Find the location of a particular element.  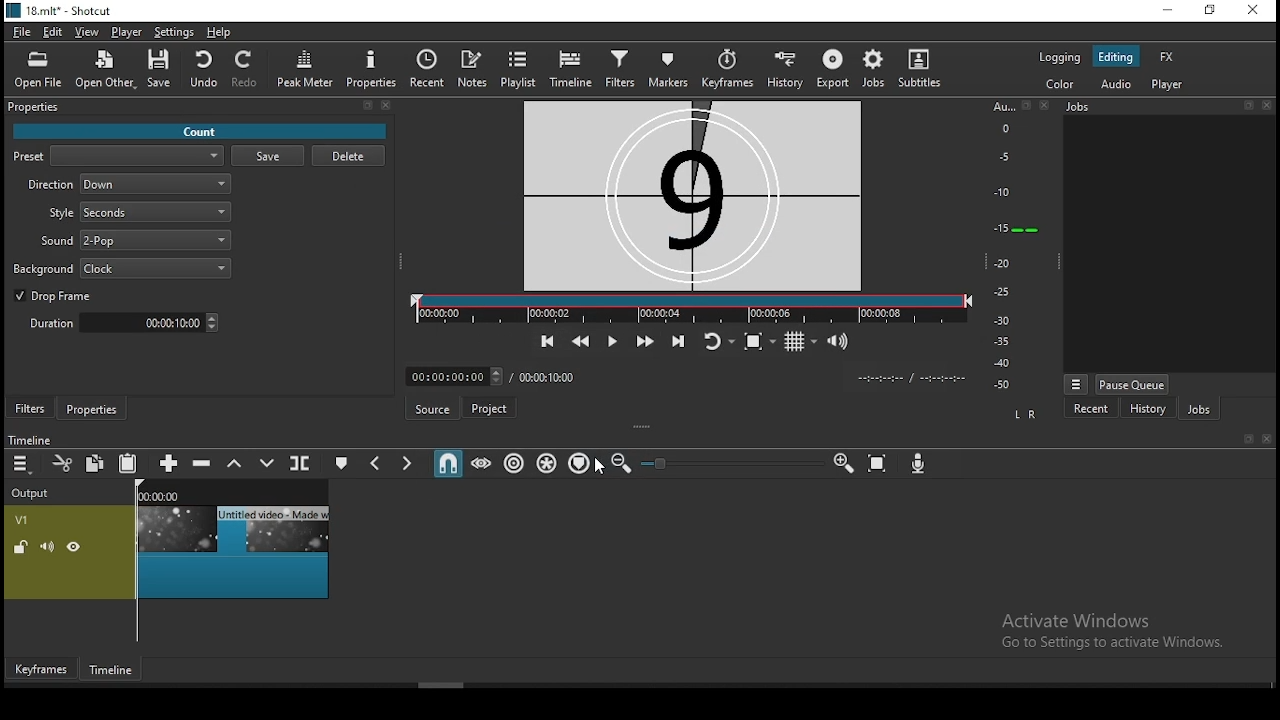

toggle grid display on player is located at coordinates (799, 344).